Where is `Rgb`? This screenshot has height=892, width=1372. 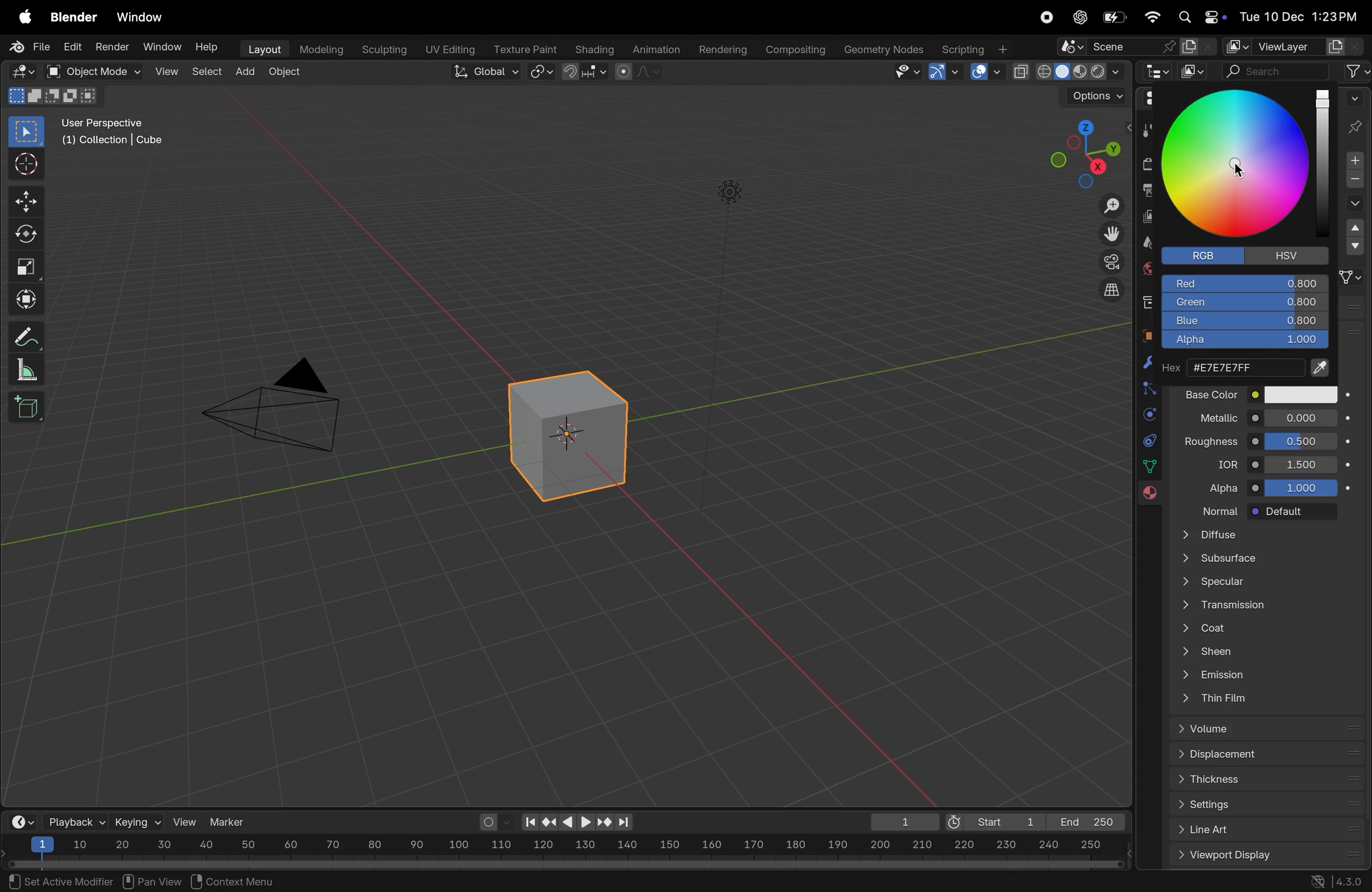 Rgb is located at coordinates (1207, 257).